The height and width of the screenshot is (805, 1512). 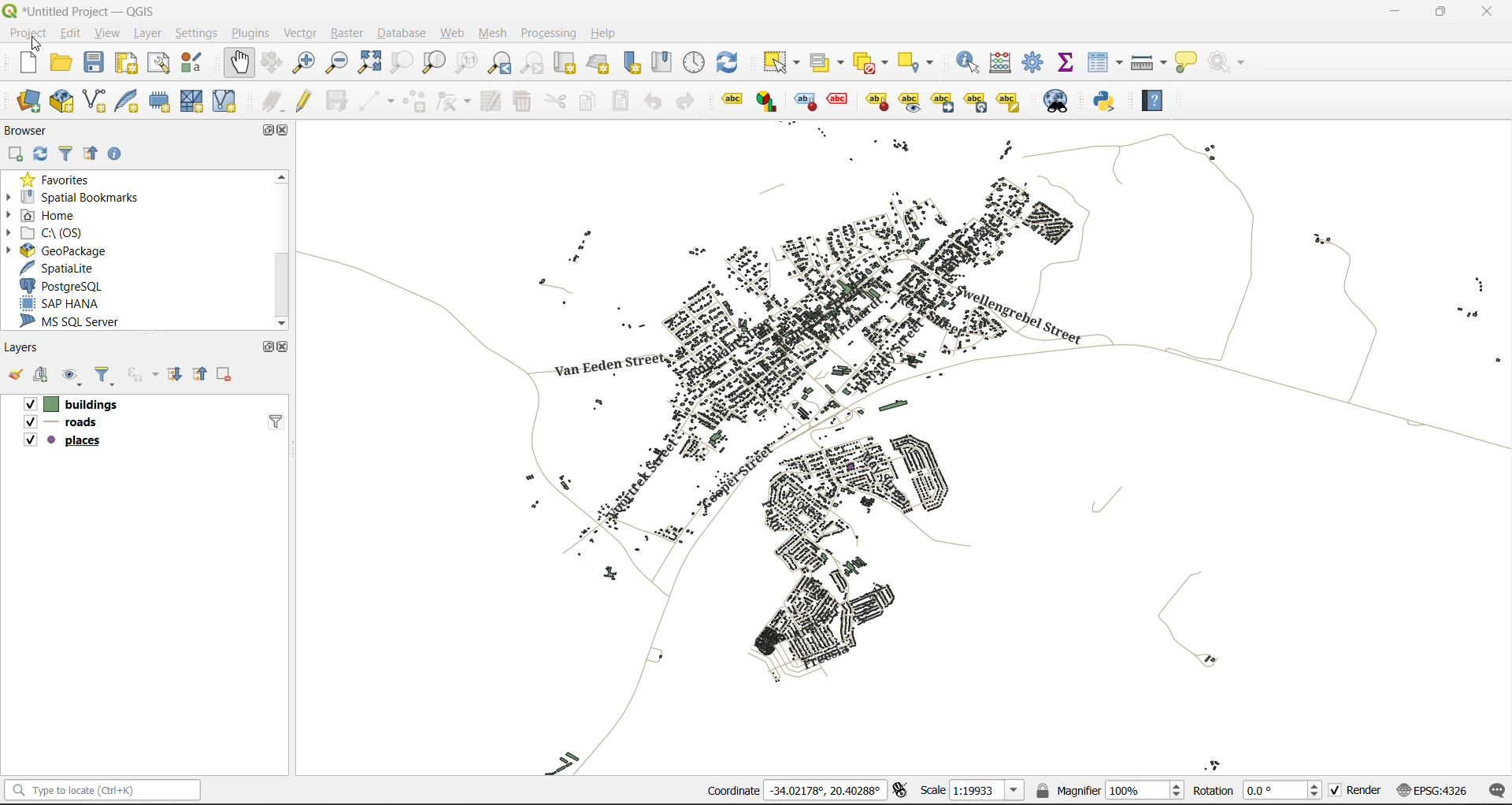 What do you see at coordinates (551, 35) in the screenshot?
I see `processing` at bounding box center [551, 35].